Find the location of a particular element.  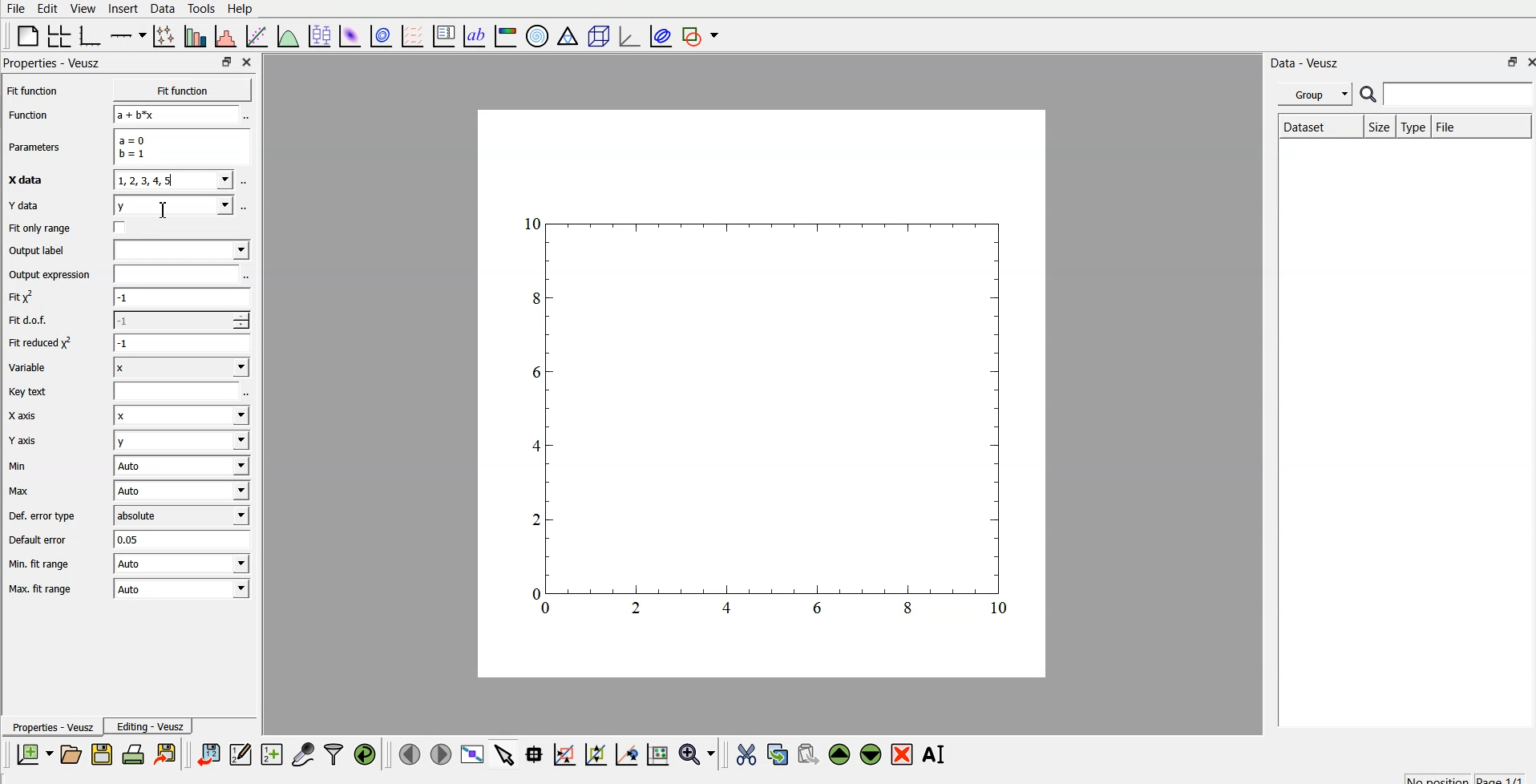

Min is located at coordinates (39, 464).